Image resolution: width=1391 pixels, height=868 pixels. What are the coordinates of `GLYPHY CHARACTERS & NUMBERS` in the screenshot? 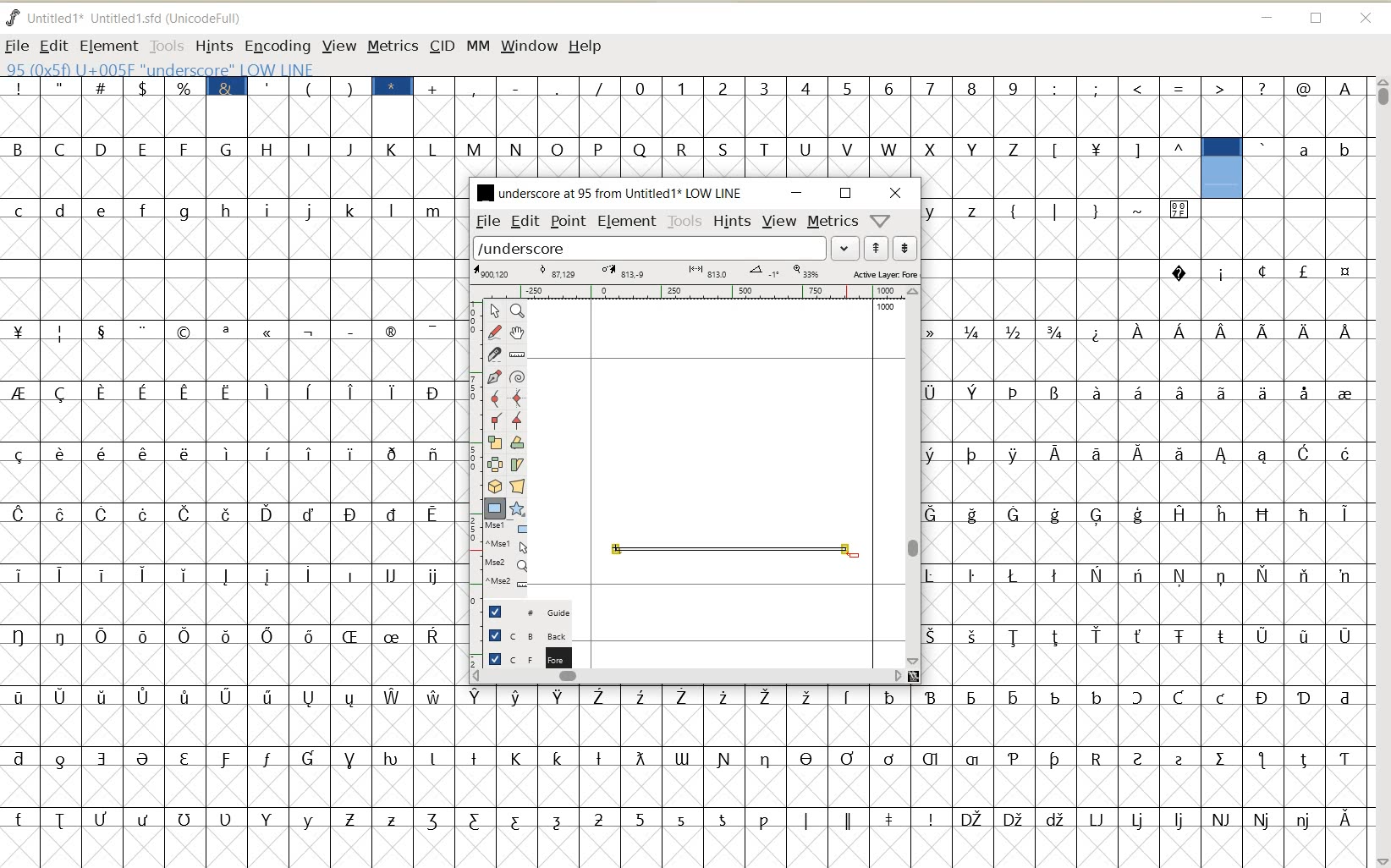 It's located at (913, 100).